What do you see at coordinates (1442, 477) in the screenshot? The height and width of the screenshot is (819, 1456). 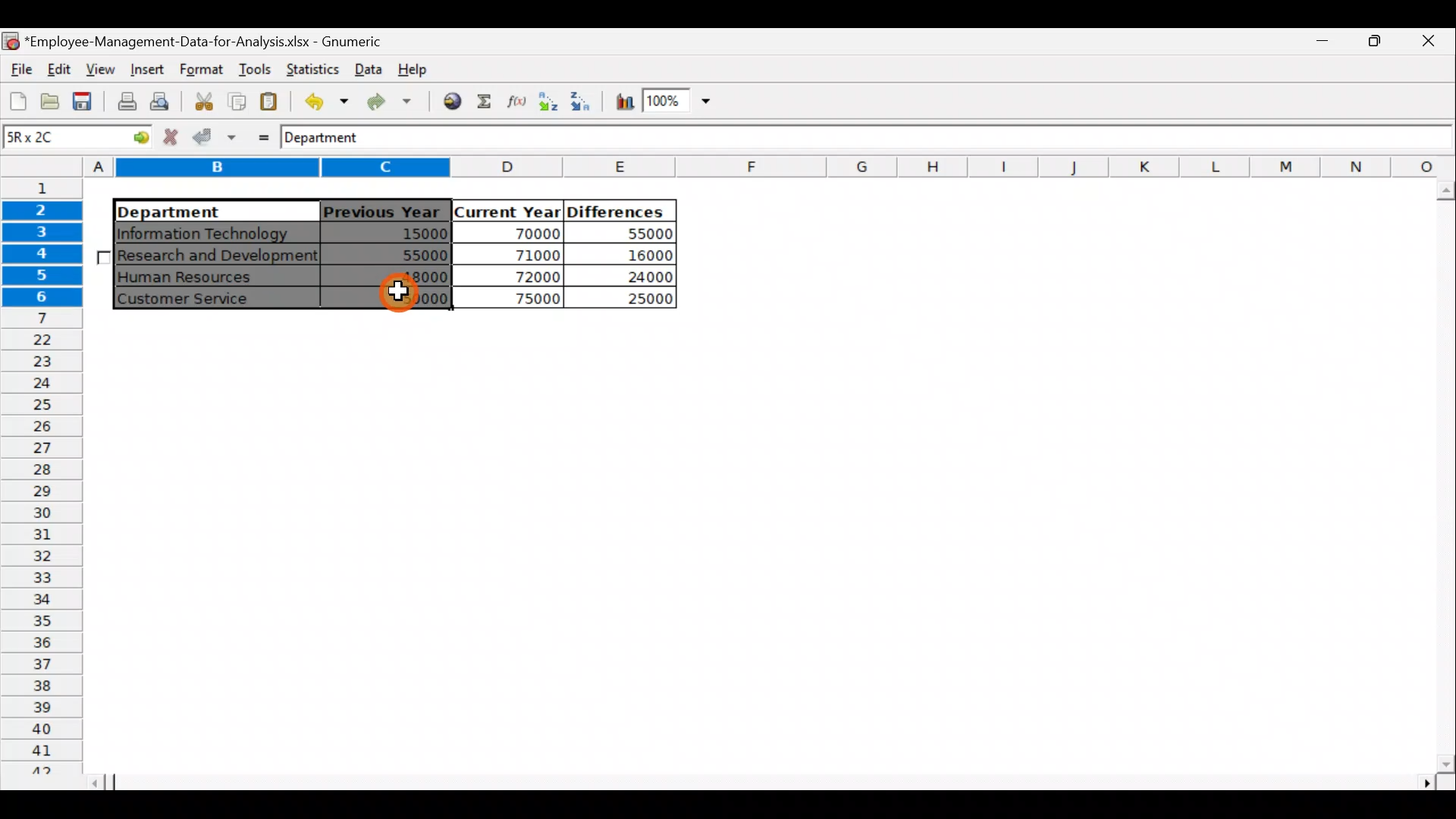 I see `Scroll bar` at bounding box center [1442, 477].